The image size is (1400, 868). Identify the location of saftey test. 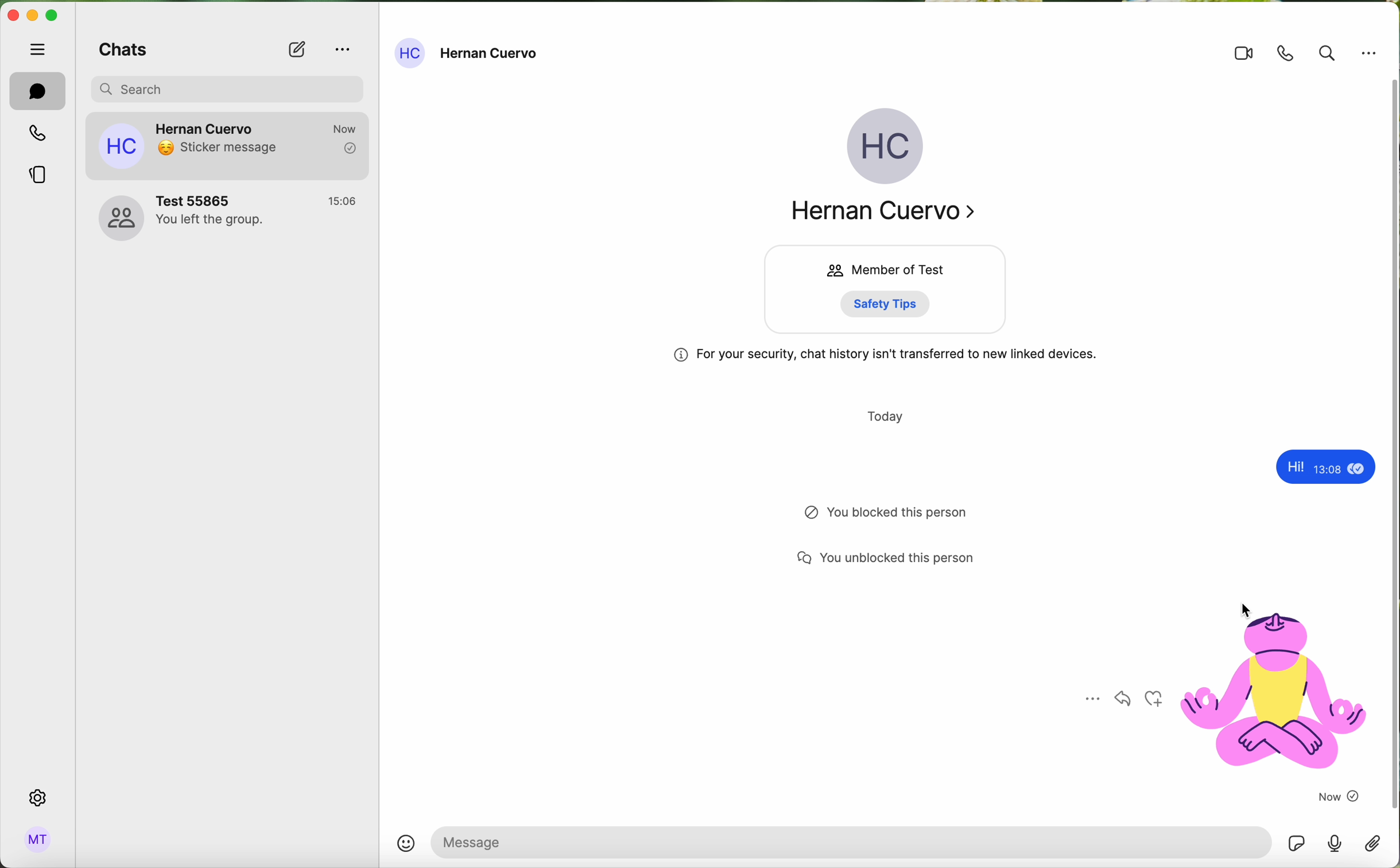
(895, 304).